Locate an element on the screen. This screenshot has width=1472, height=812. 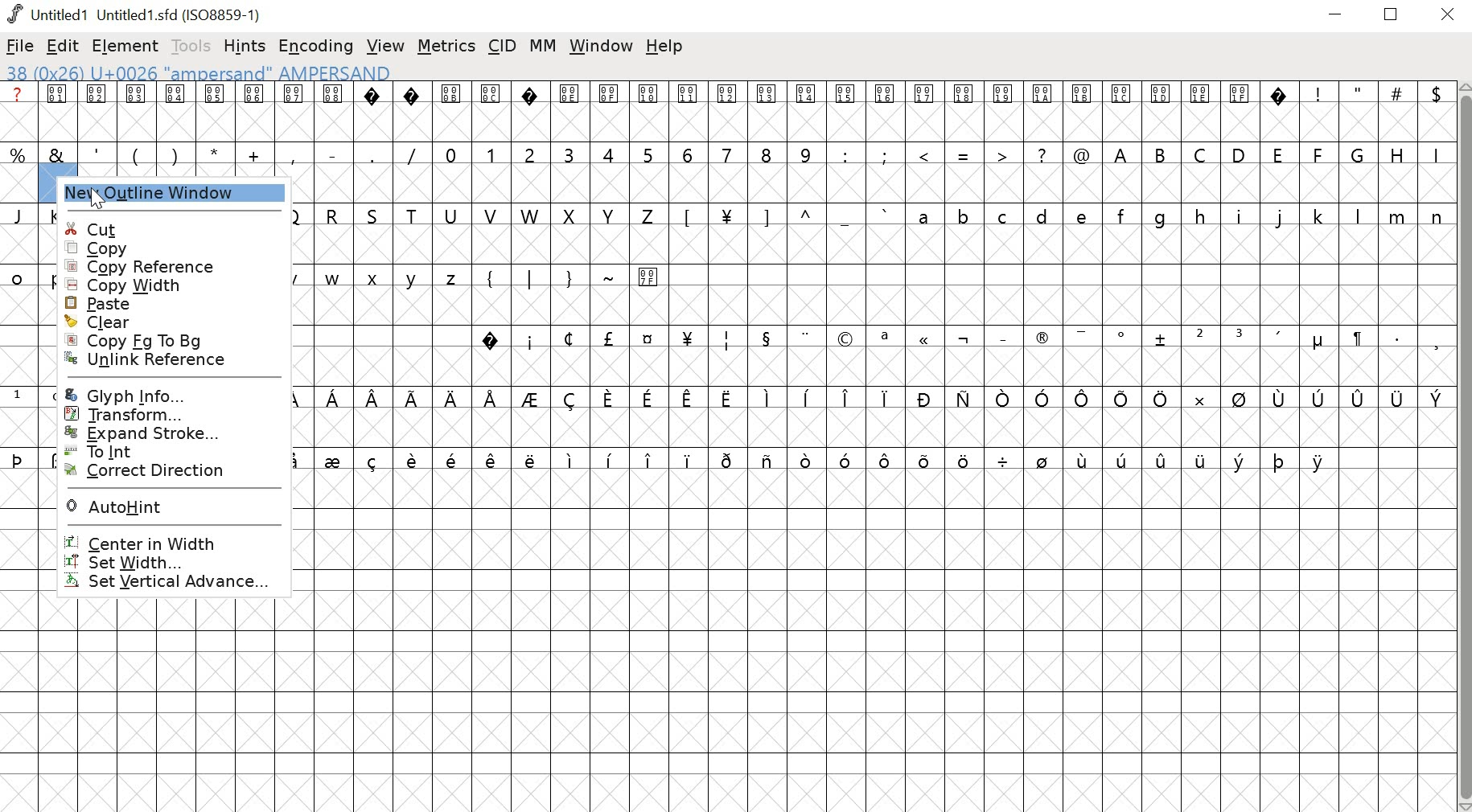
symbol is located at coordinates (374, 459).